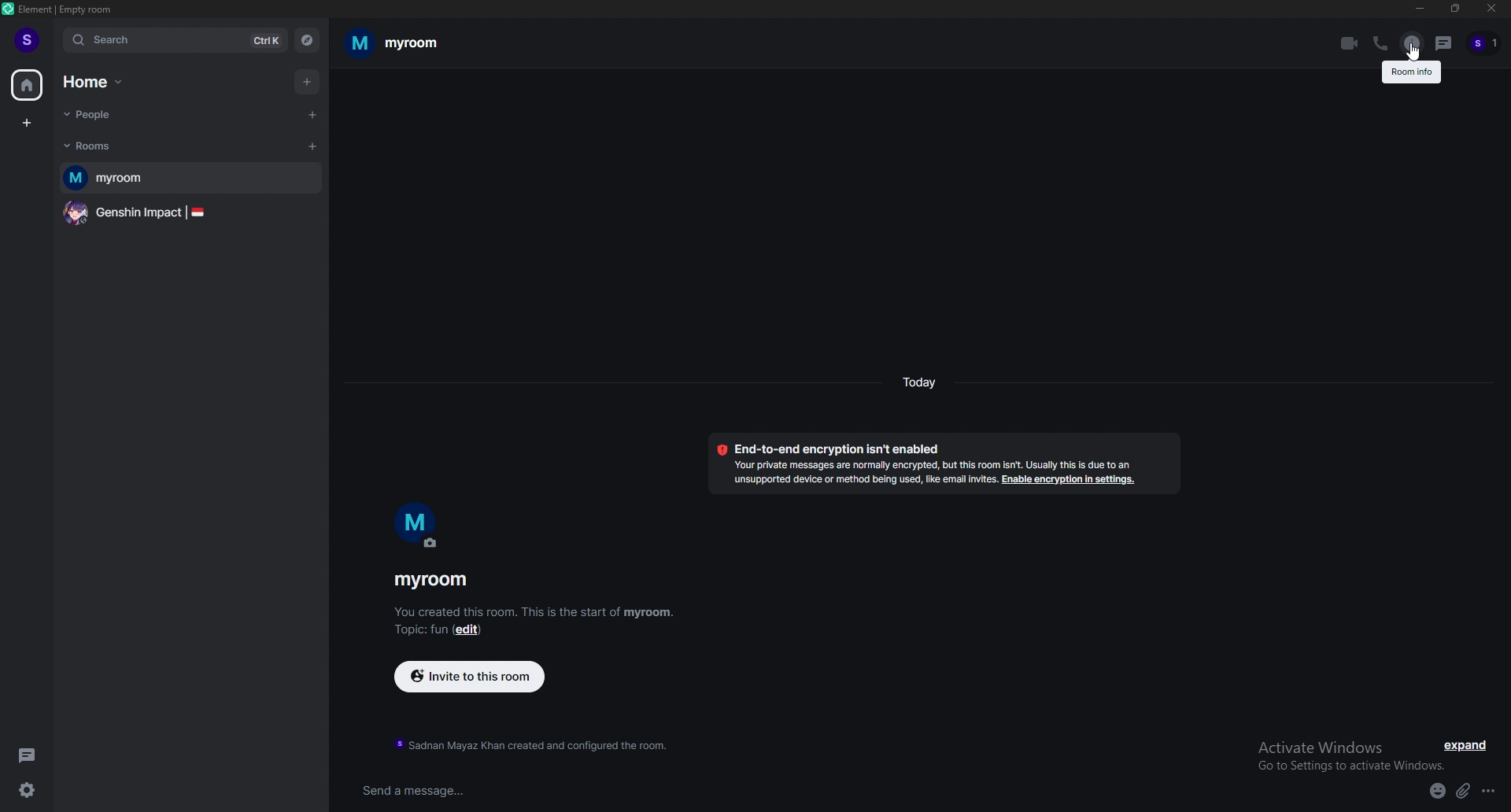  What do you see at coordinates (139, 42) in the screenshot?
I see `search` at bounding box center [139, 42].